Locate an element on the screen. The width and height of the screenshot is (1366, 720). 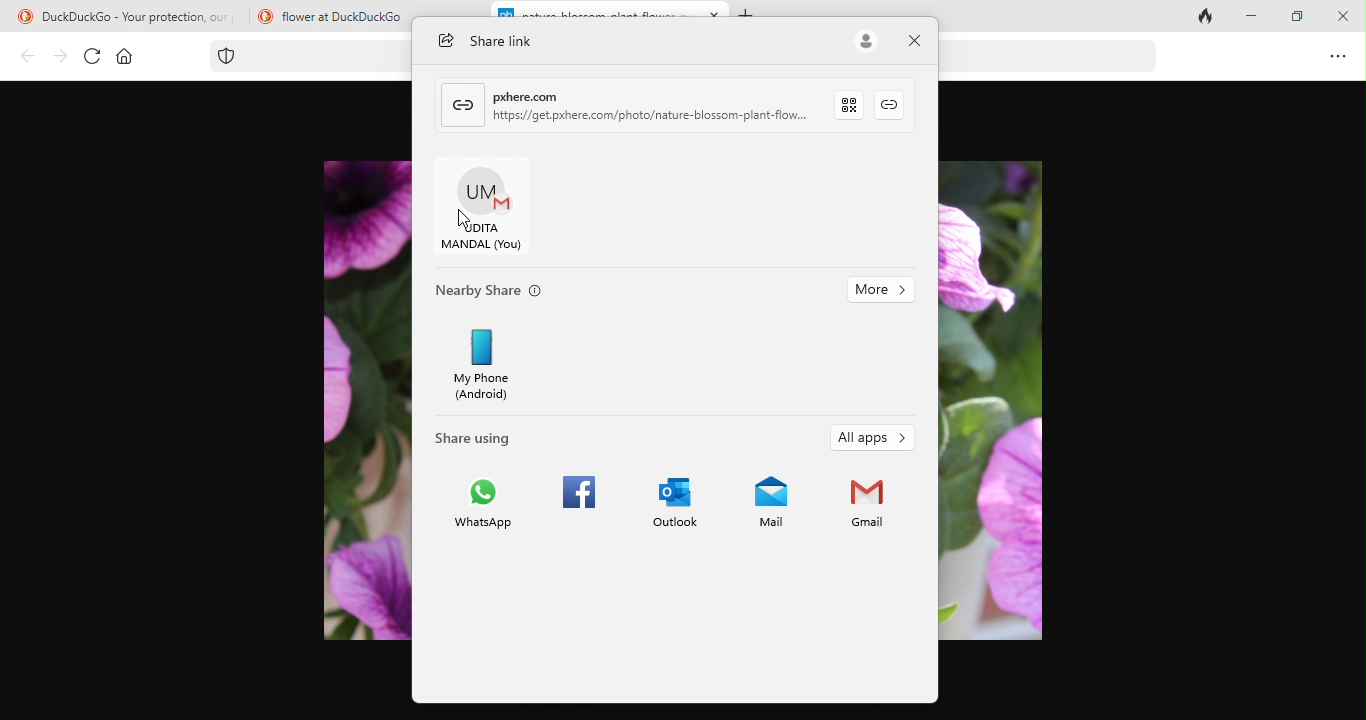
link  is located at coordinates (463, 104).